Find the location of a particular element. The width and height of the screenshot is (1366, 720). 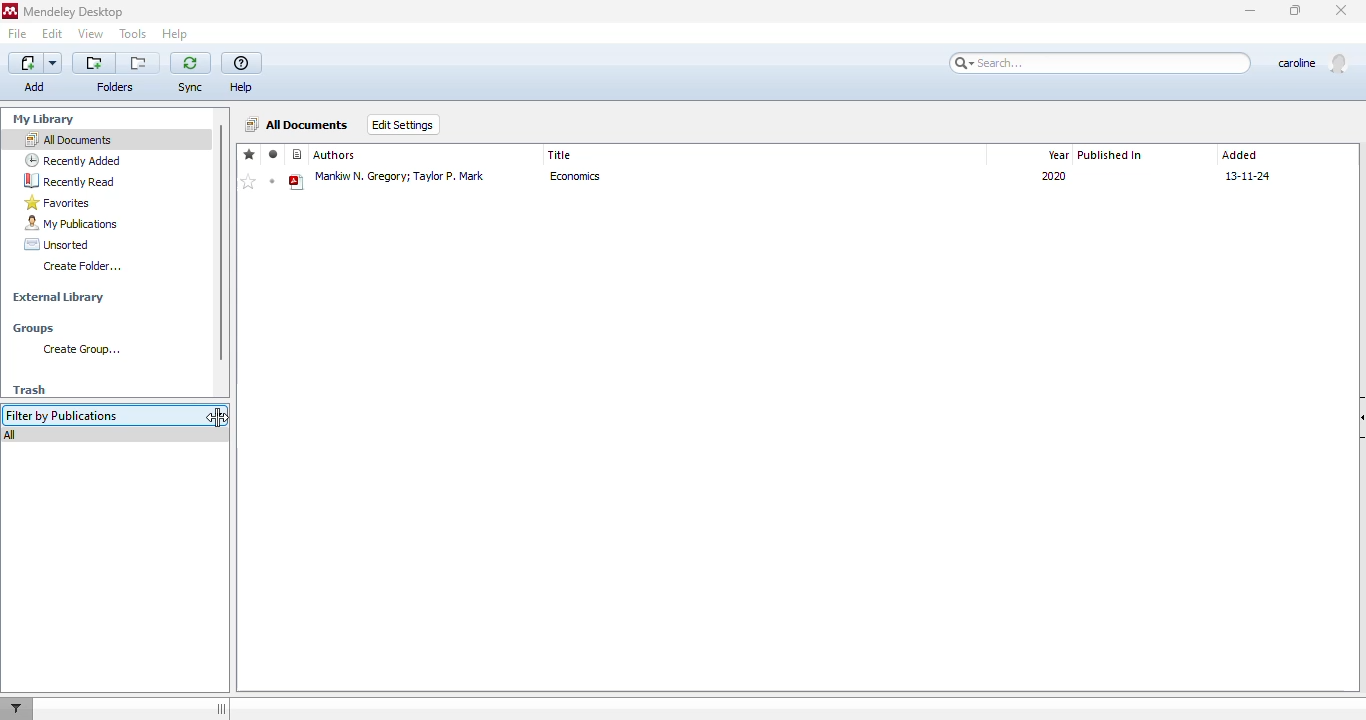

13-11-24 is located at coordinates (1254, 175).